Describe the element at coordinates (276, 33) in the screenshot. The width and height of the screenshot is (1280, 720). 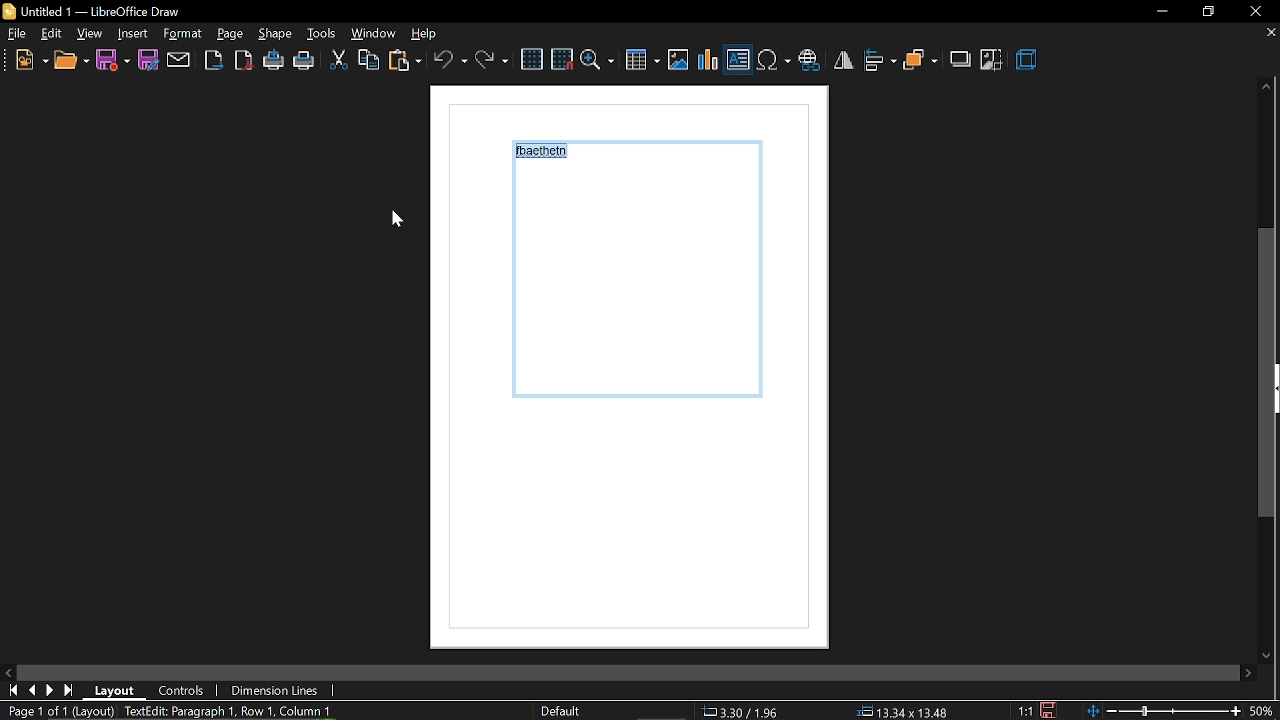
I see `page` at that location.